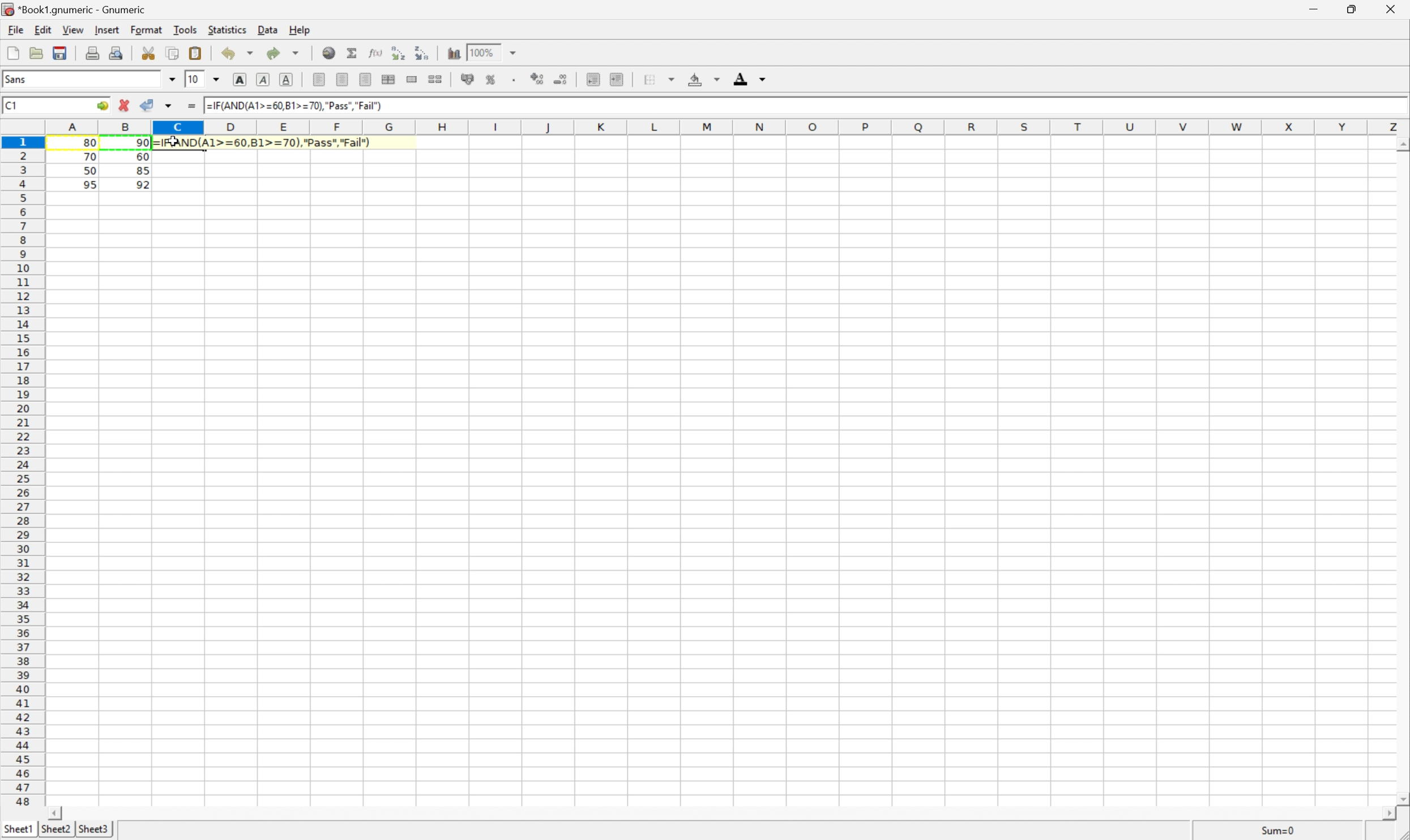 The image size is (1410, 840). What do you see at coordinates (173, 80) in the screenshot?
I see `Drop Down` at bounding box center [173, 80].